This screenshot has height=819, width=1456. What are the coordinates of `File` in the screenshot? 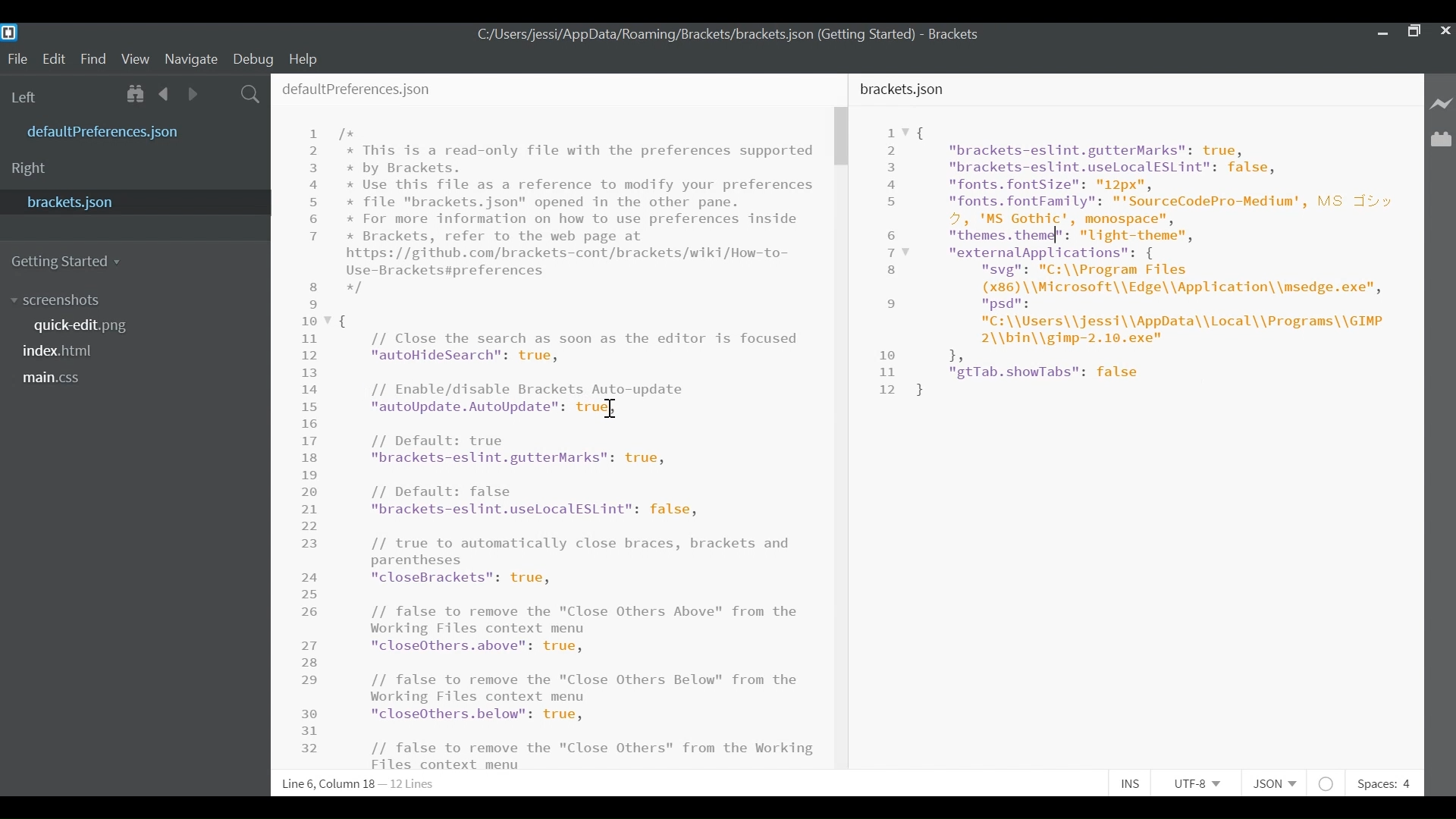 It's located at (17, 58).